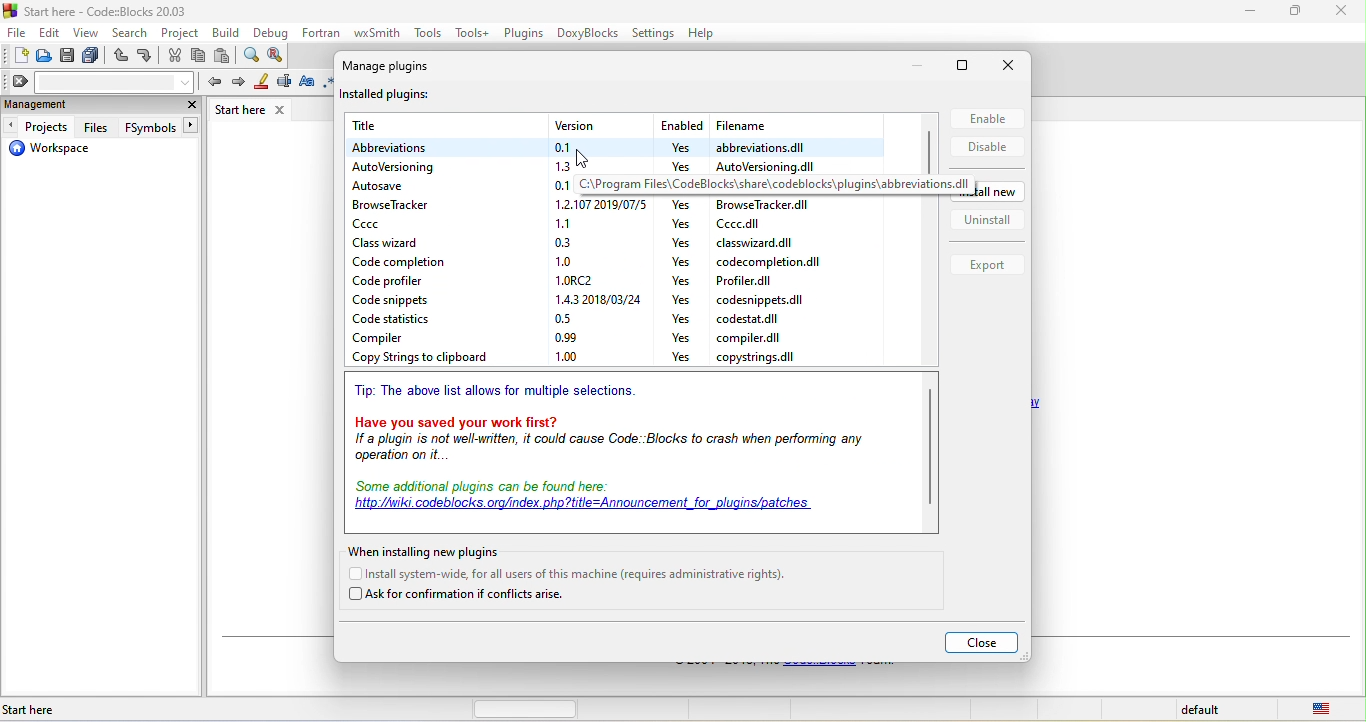  What do you see at coordinates (259, 83) in the screenshot?
I see `highlight` at bounding box center [259, 83].